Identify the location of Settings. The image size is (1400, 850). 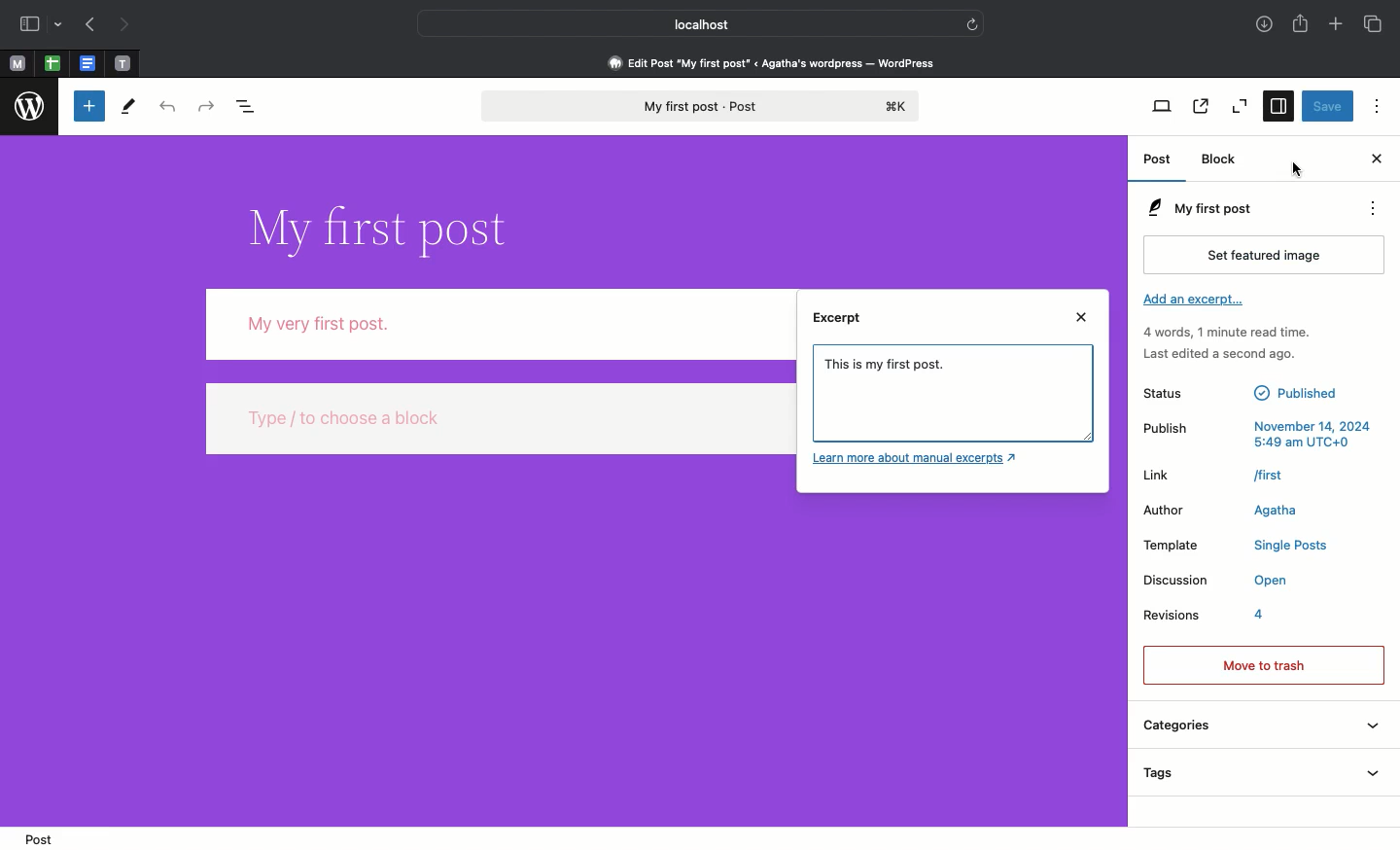
(1280, 107).